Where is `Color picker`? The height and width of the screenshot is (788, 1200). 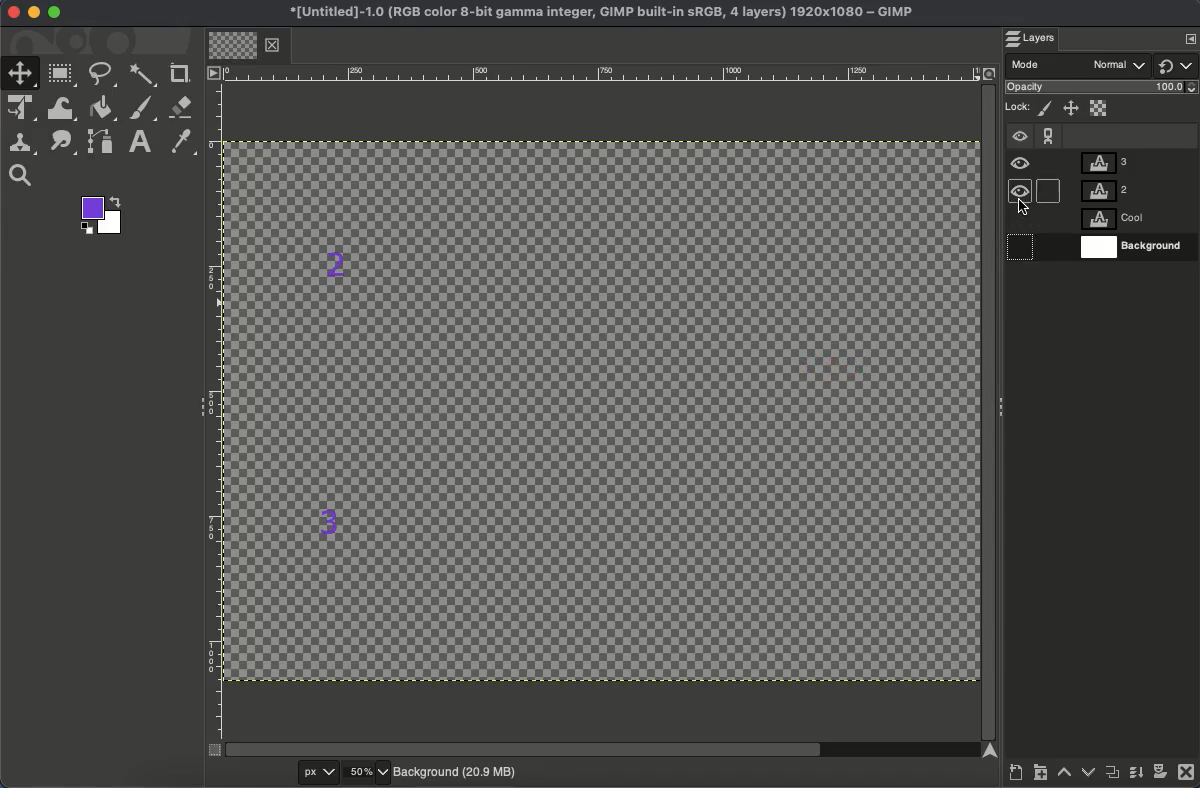
Color picker is located at coordinates (184, 143).